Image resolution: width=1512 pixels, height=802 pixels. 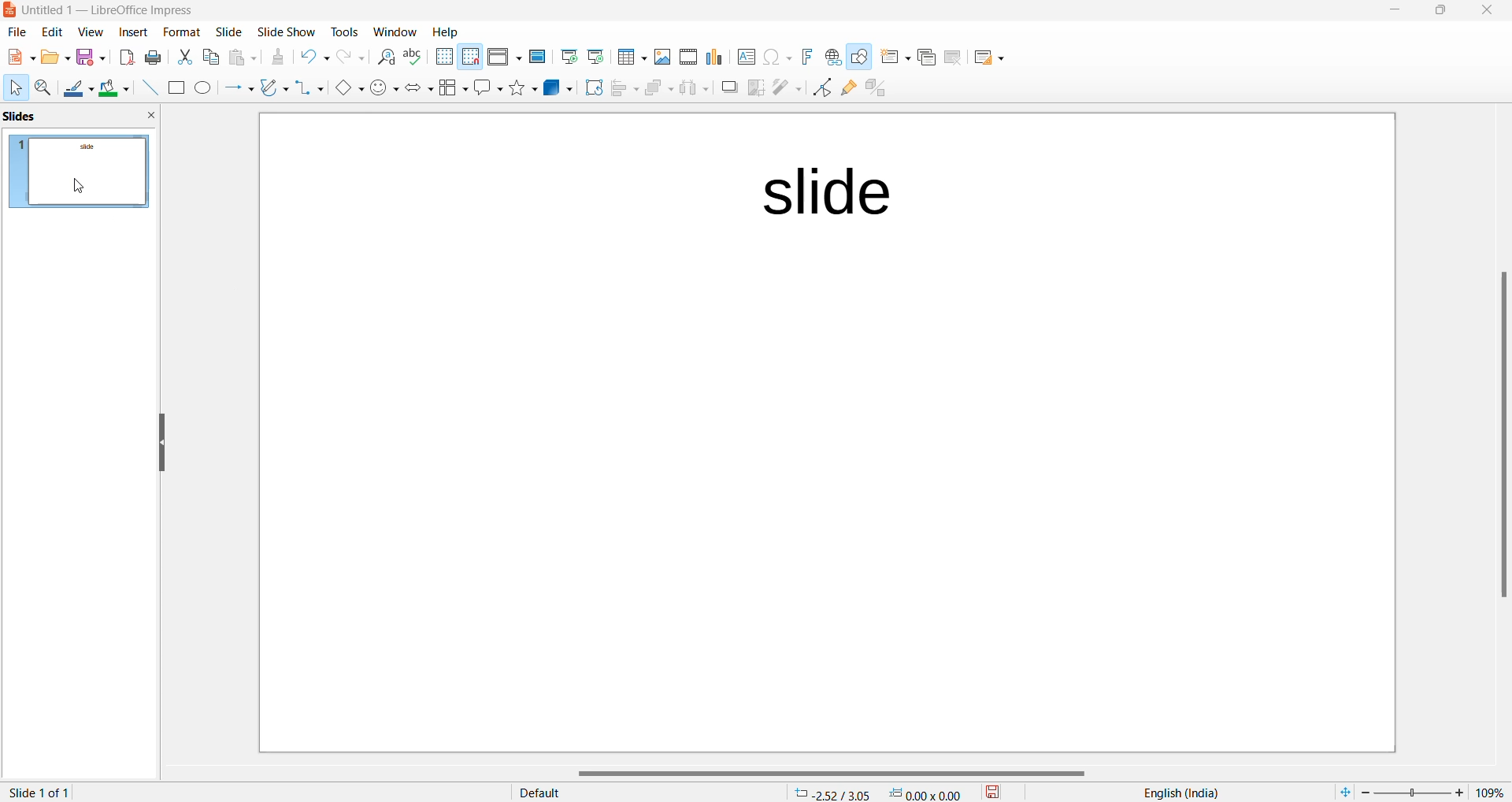 What do you see at coordinates (205, 89) in the screenshot?
I see `ellipse` at bounding box center [205, 89].